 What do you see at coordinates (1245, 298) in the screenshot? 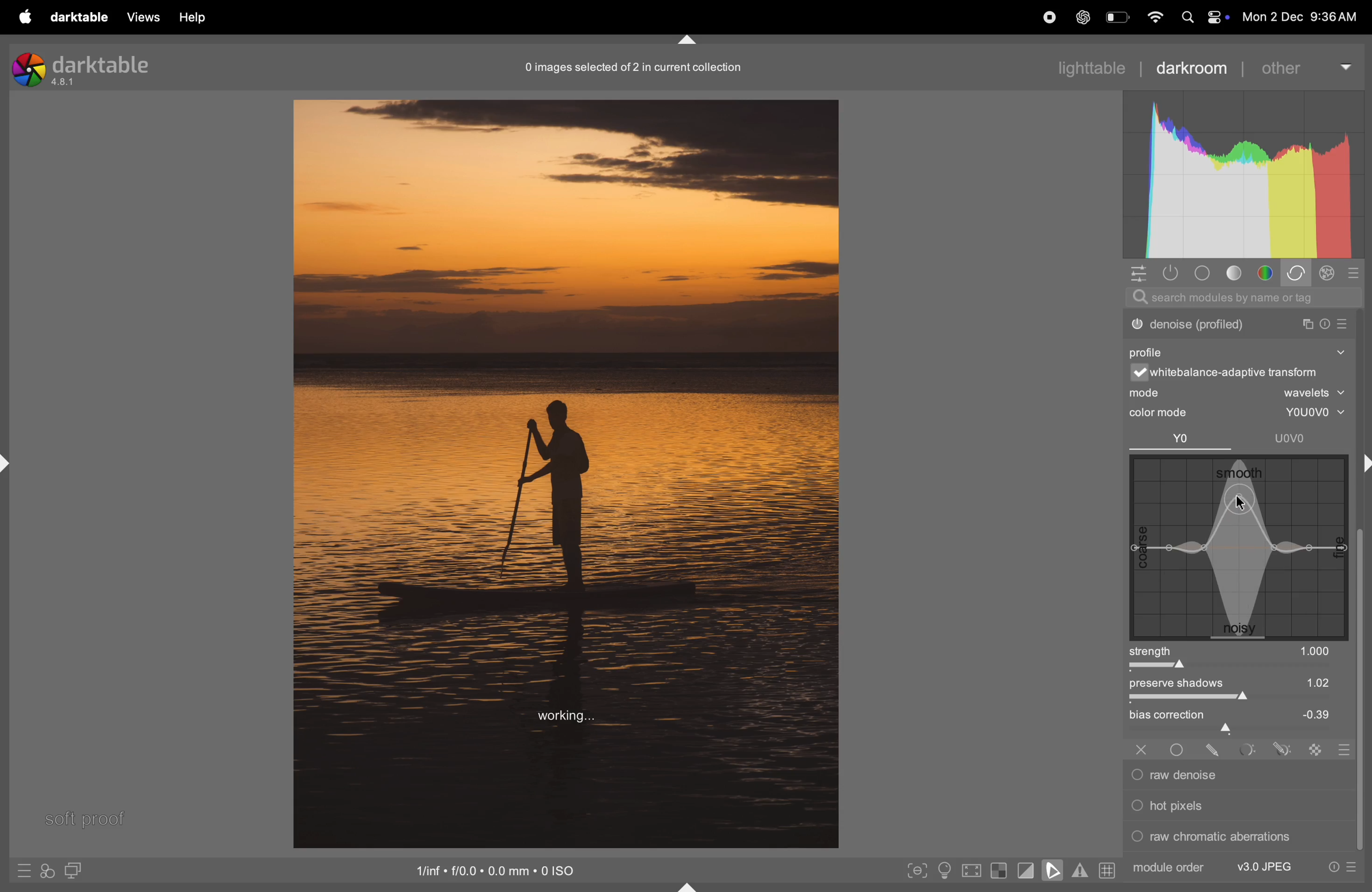
I see `search` at bounding box center [1245, 298].